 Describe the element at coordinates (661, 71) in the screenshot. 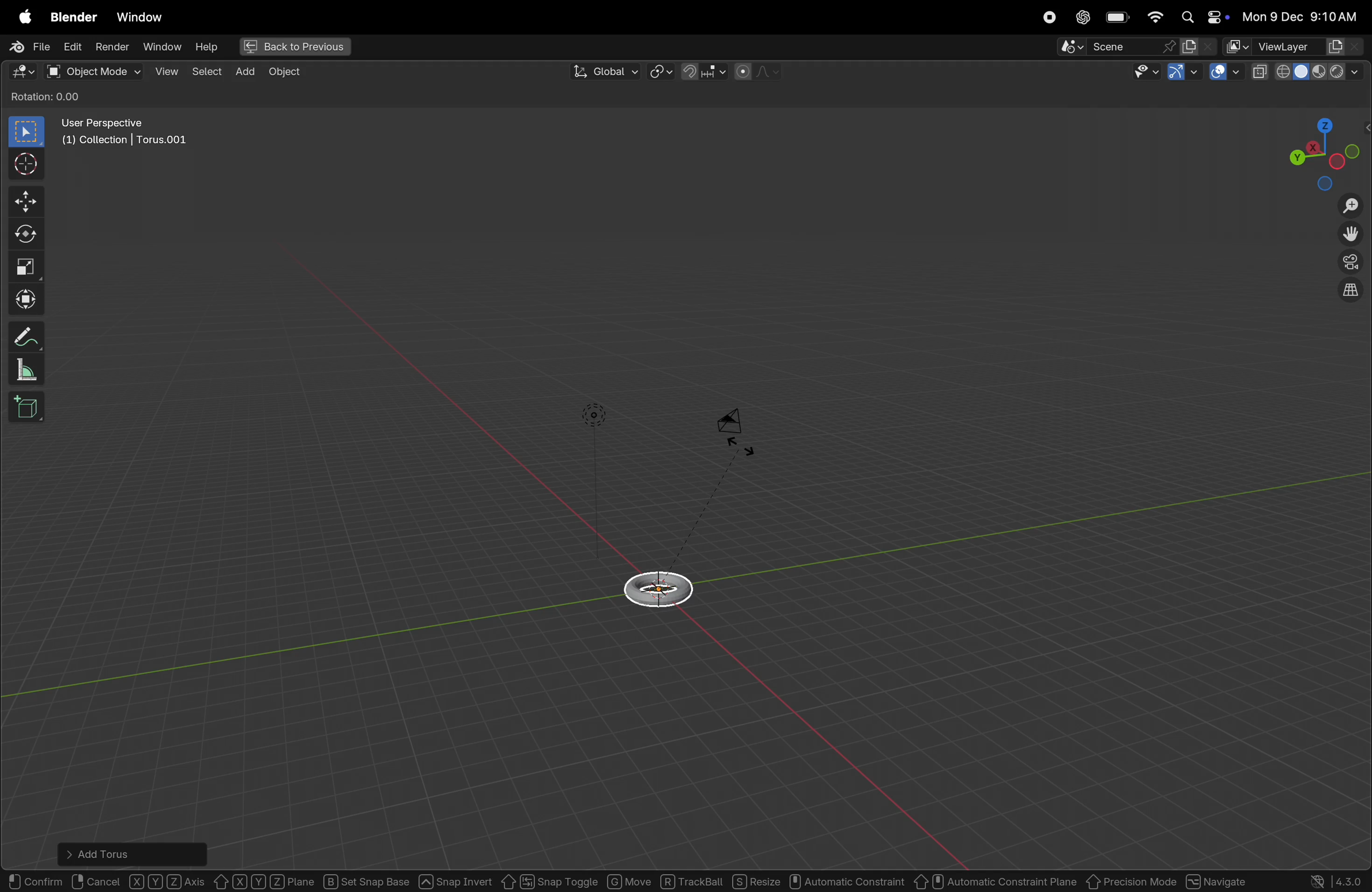

I see `ransformpviot point` at that location.